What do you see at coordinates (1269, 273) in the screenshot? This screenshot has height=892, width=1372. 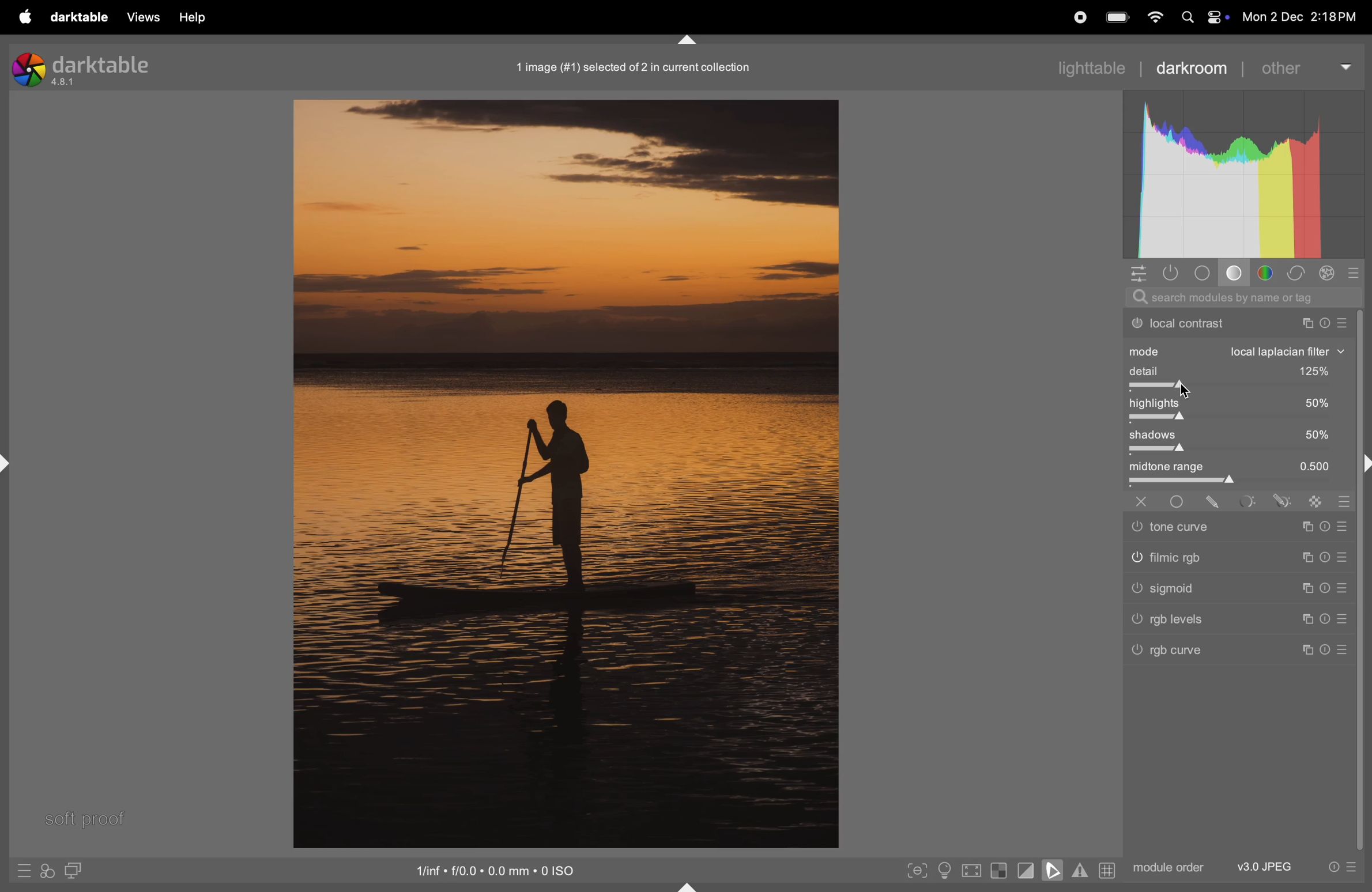 I see `color` at bounding box center [1269, 273].